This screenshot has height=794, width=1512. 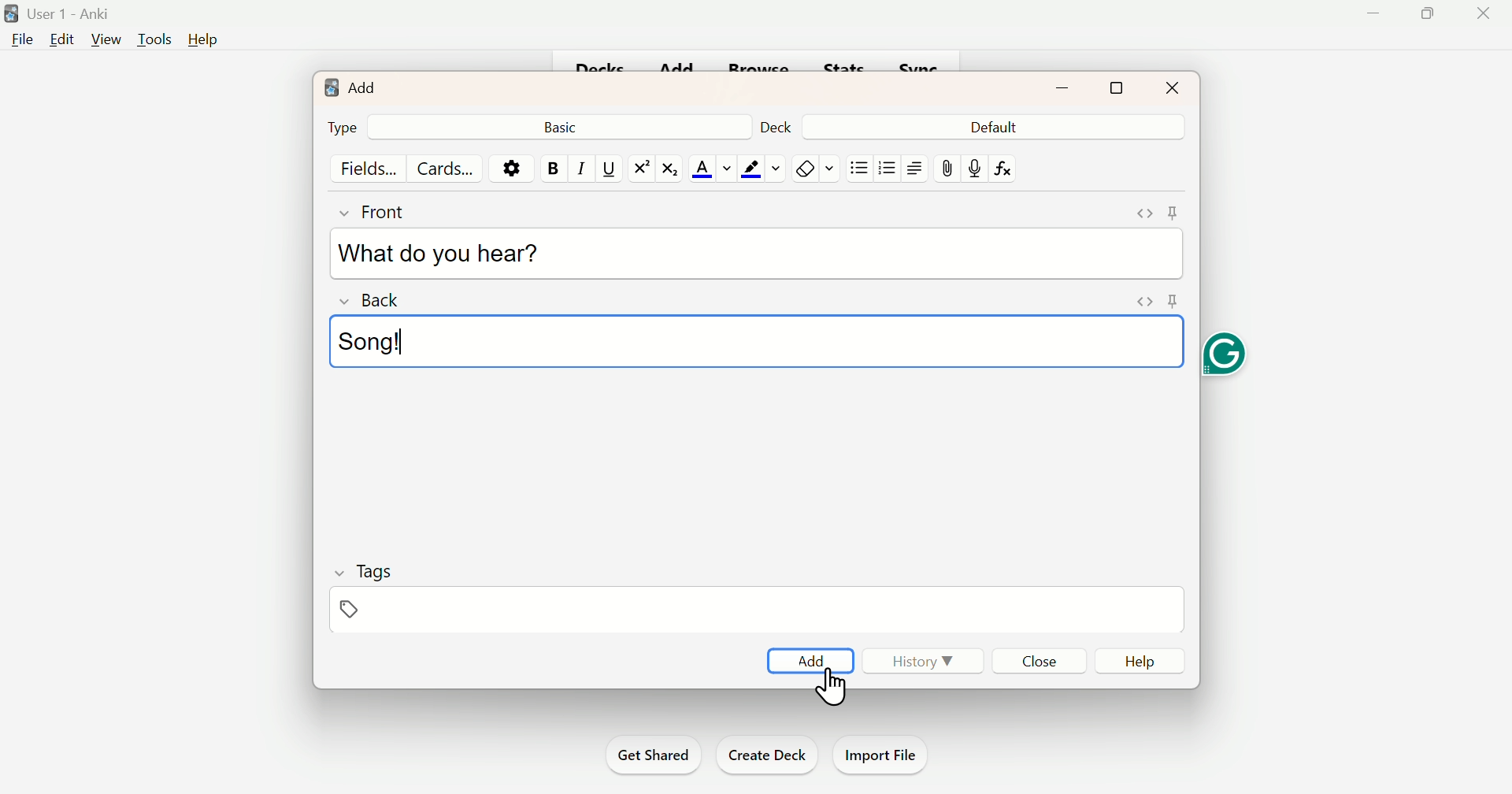 What do you see at coordinates (925, 662) in the screenshot?
I see `History` at bounding box center [925, 662].